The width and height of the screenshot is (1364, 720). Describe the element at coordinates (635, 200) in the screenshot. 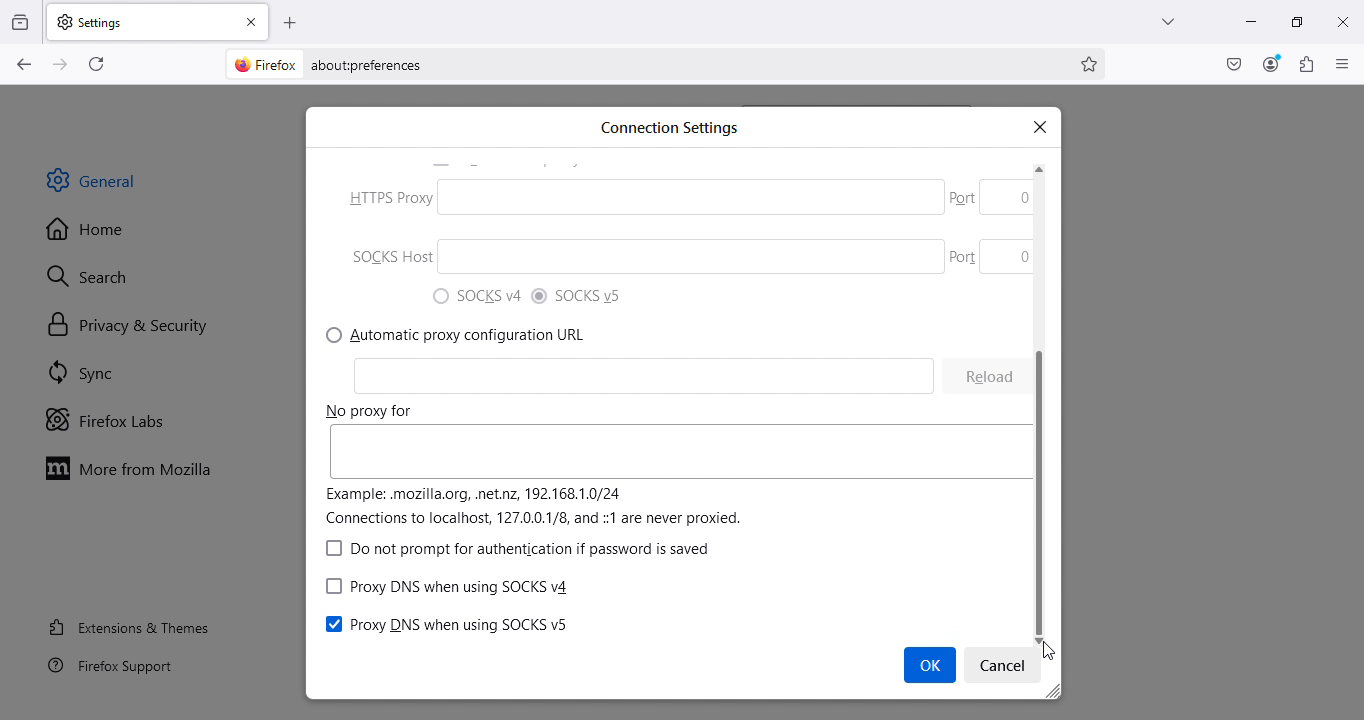

I see `IB (O) No proxy` at that location.